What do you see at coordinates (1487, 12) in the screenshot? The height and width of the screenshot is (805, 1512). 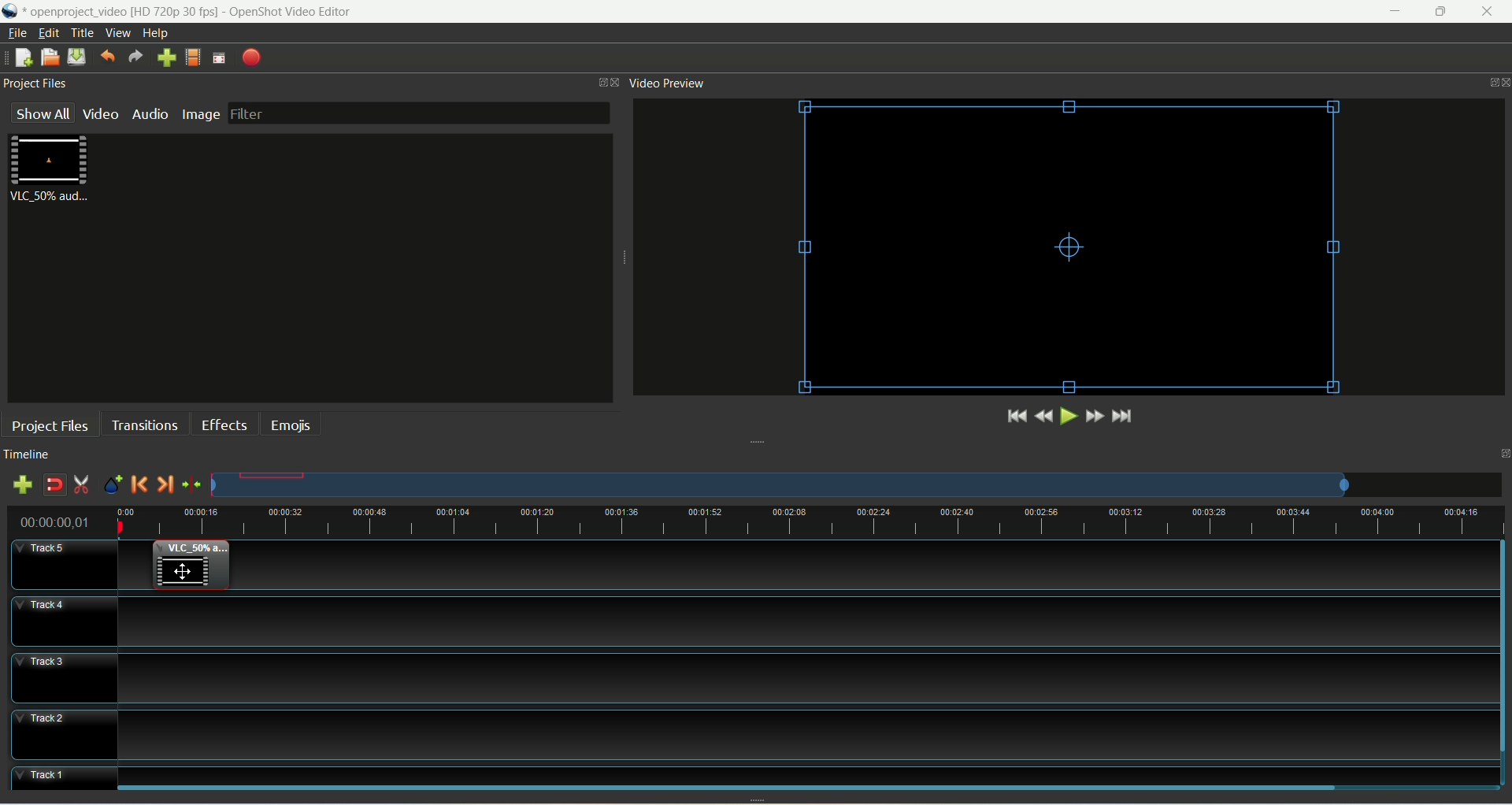 I see `close` at bounding box center [1487, 12].